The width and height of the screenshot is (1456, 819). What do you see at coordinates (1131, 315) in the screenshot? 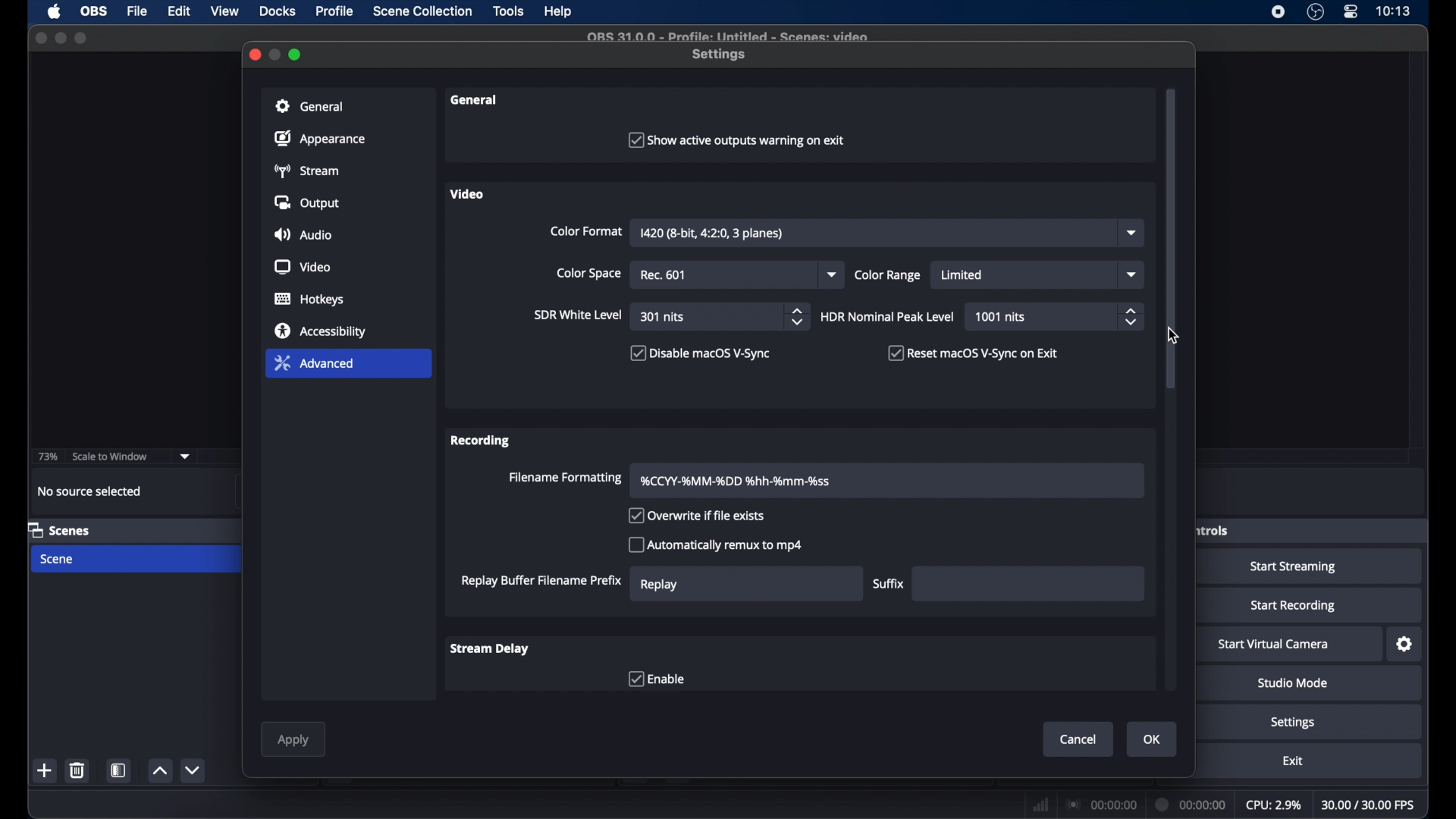
I see `stepper buttons` at bounding box center [1131, 315].